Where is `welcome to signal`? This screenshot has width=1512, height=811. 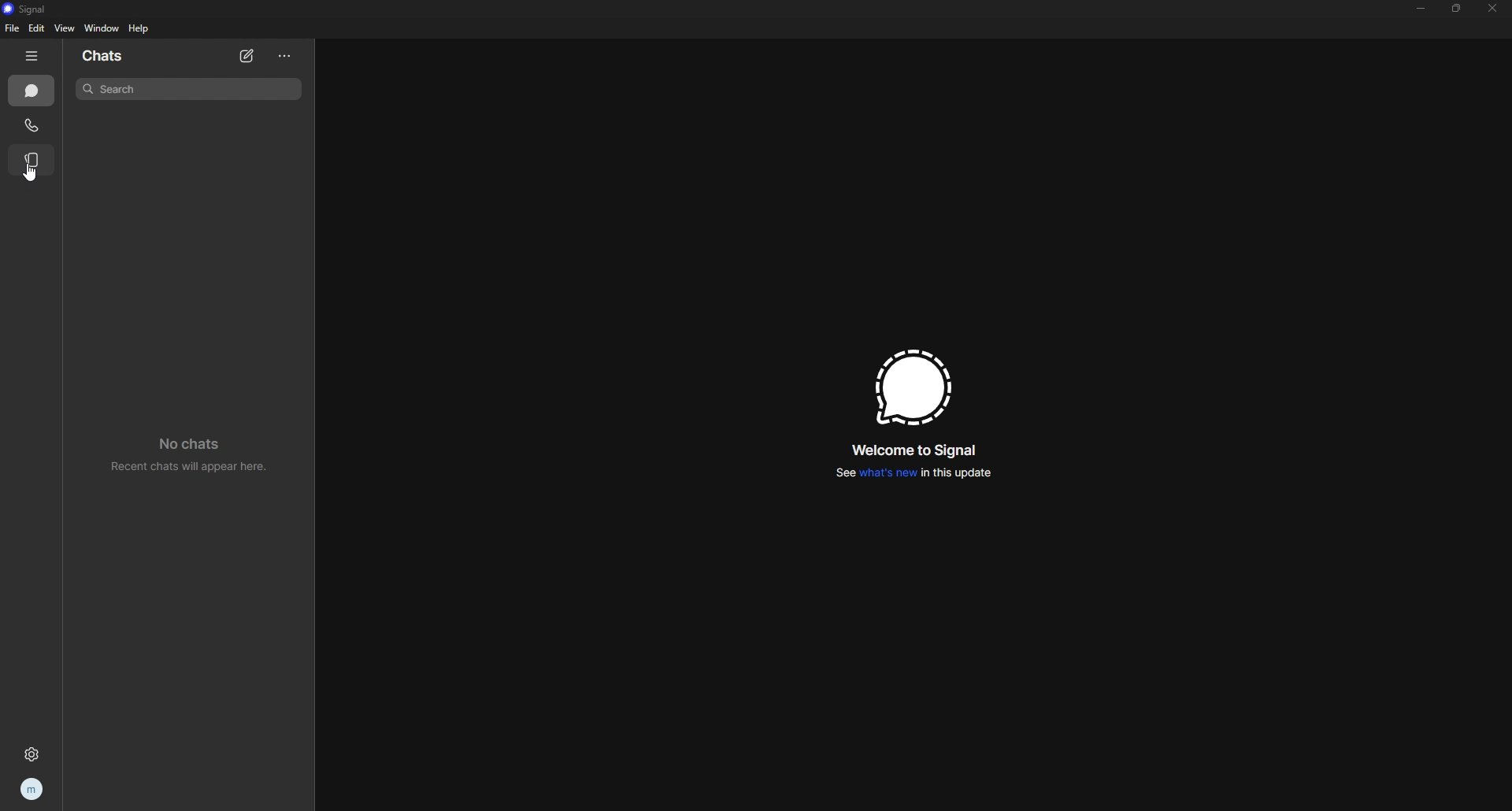
welcome to signal is located at coordinates (914, 450).